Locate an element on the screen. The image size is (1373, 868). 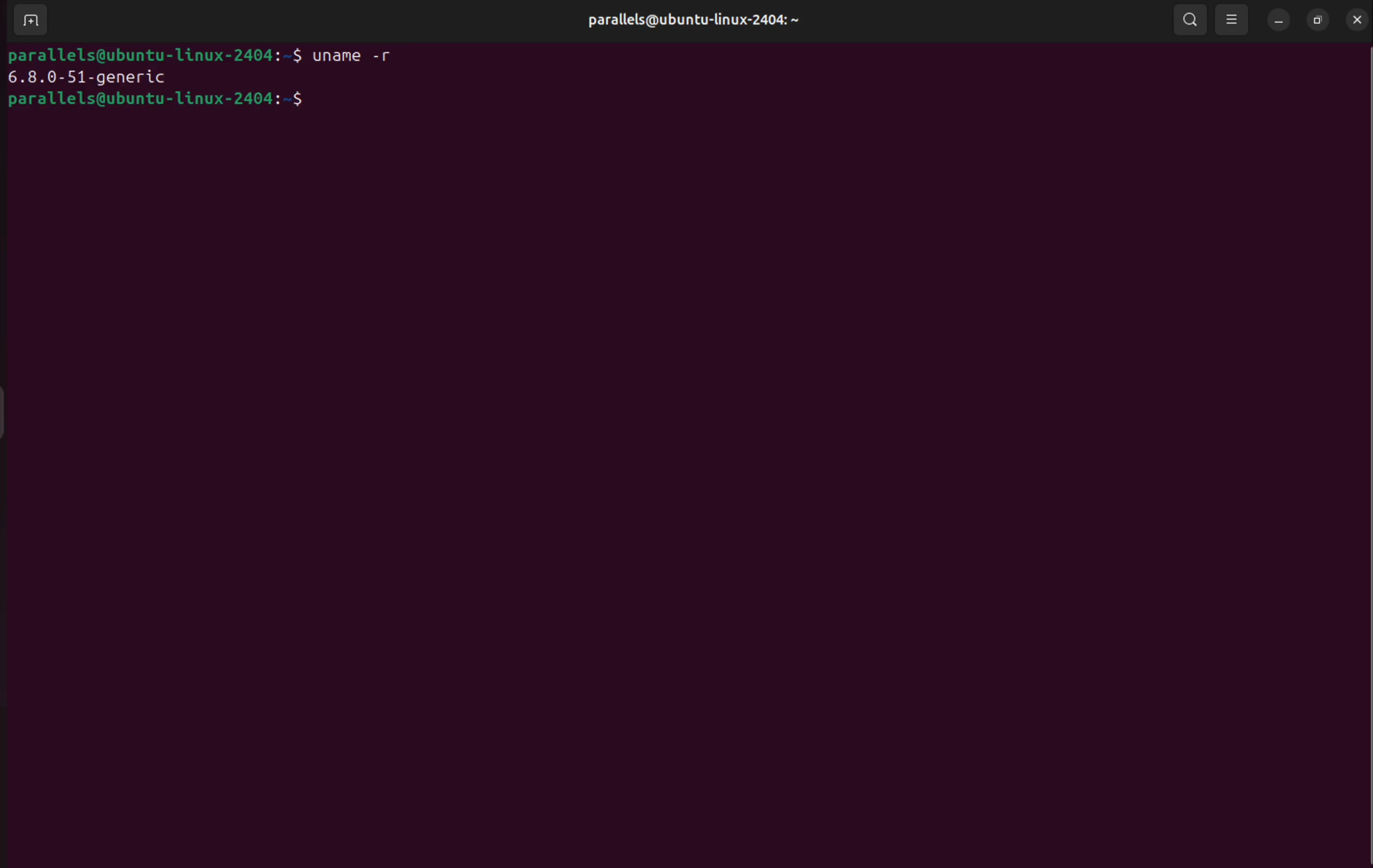
parallels@ubuntu-linux-2404: ~ is located at coordinates (683, 19).